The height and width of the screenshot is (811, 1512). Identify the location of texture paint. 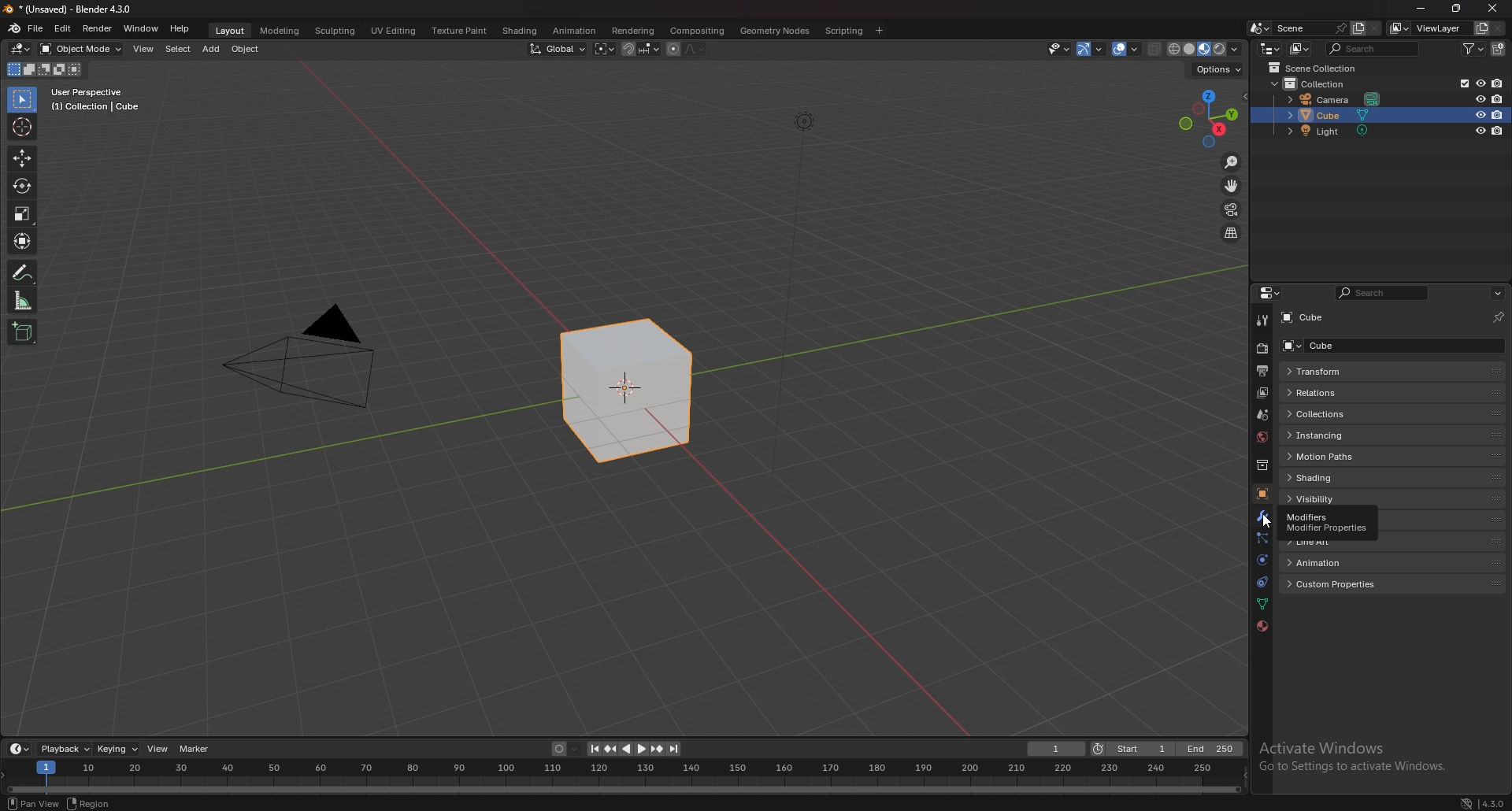
(460, 31).